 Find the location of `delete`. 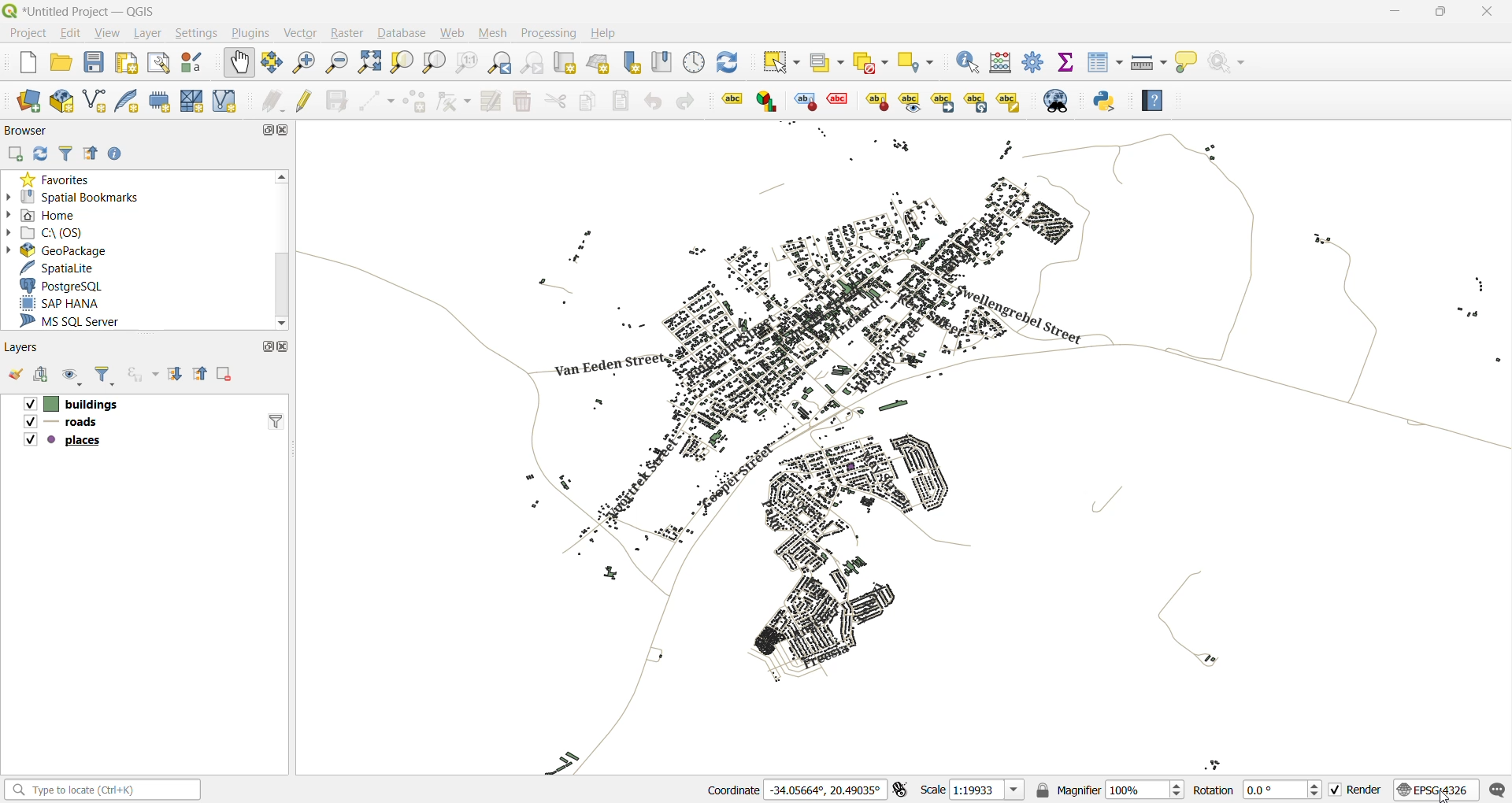

delete is located at coordinates (524, 102).